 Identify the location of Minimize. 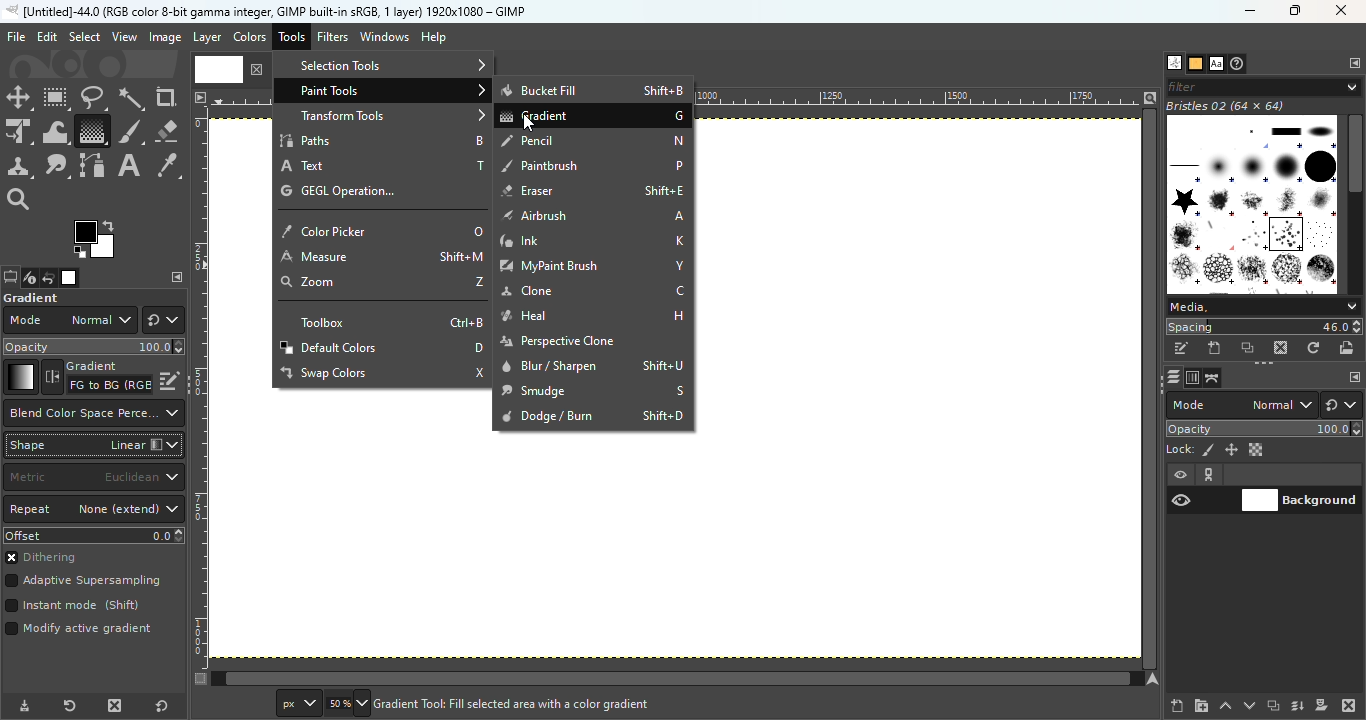
(1247, 11).